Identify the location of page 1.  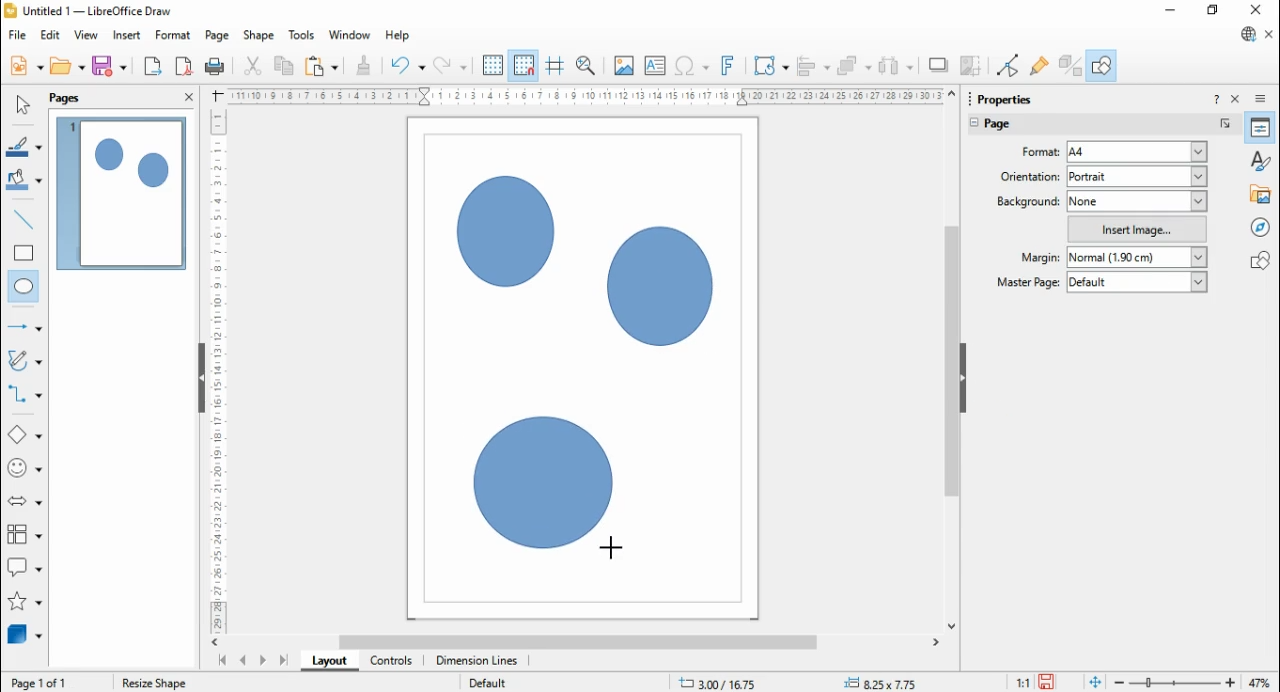
(123, 193).